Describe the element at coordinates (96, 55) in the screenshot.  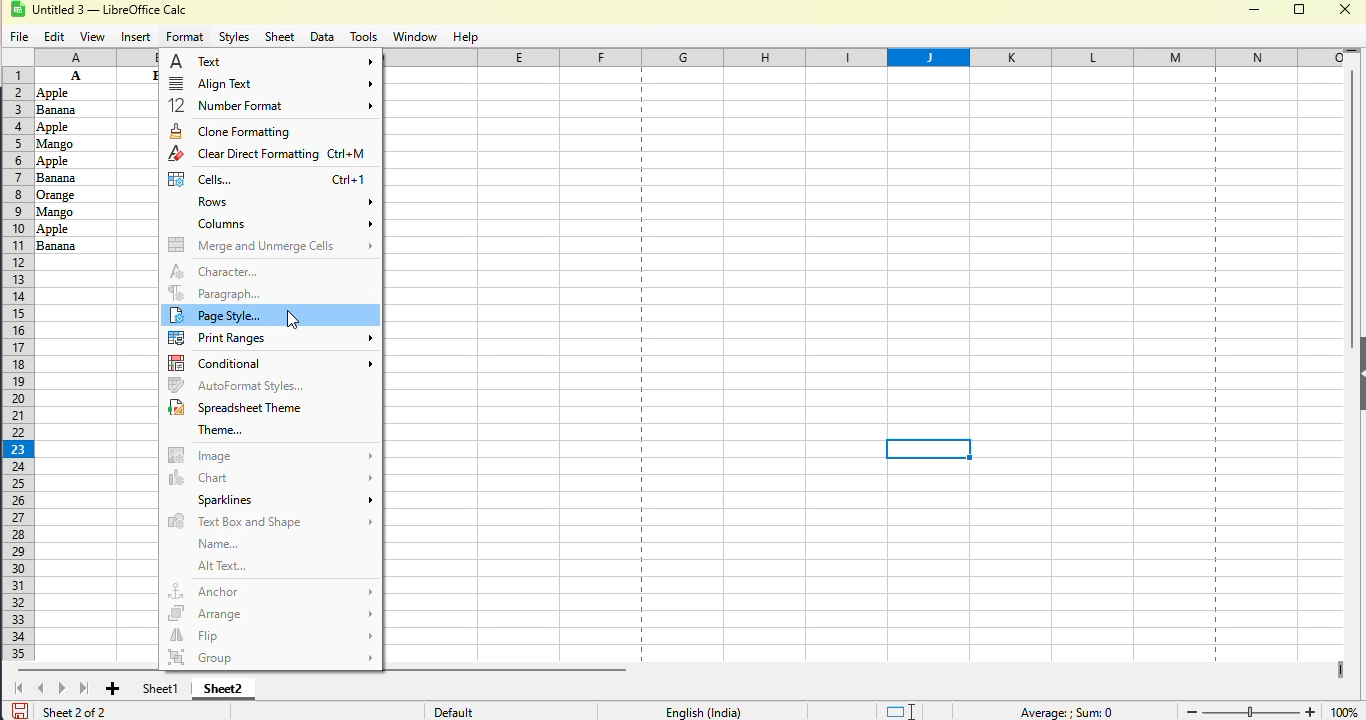
I see `A (Column)` at that location.